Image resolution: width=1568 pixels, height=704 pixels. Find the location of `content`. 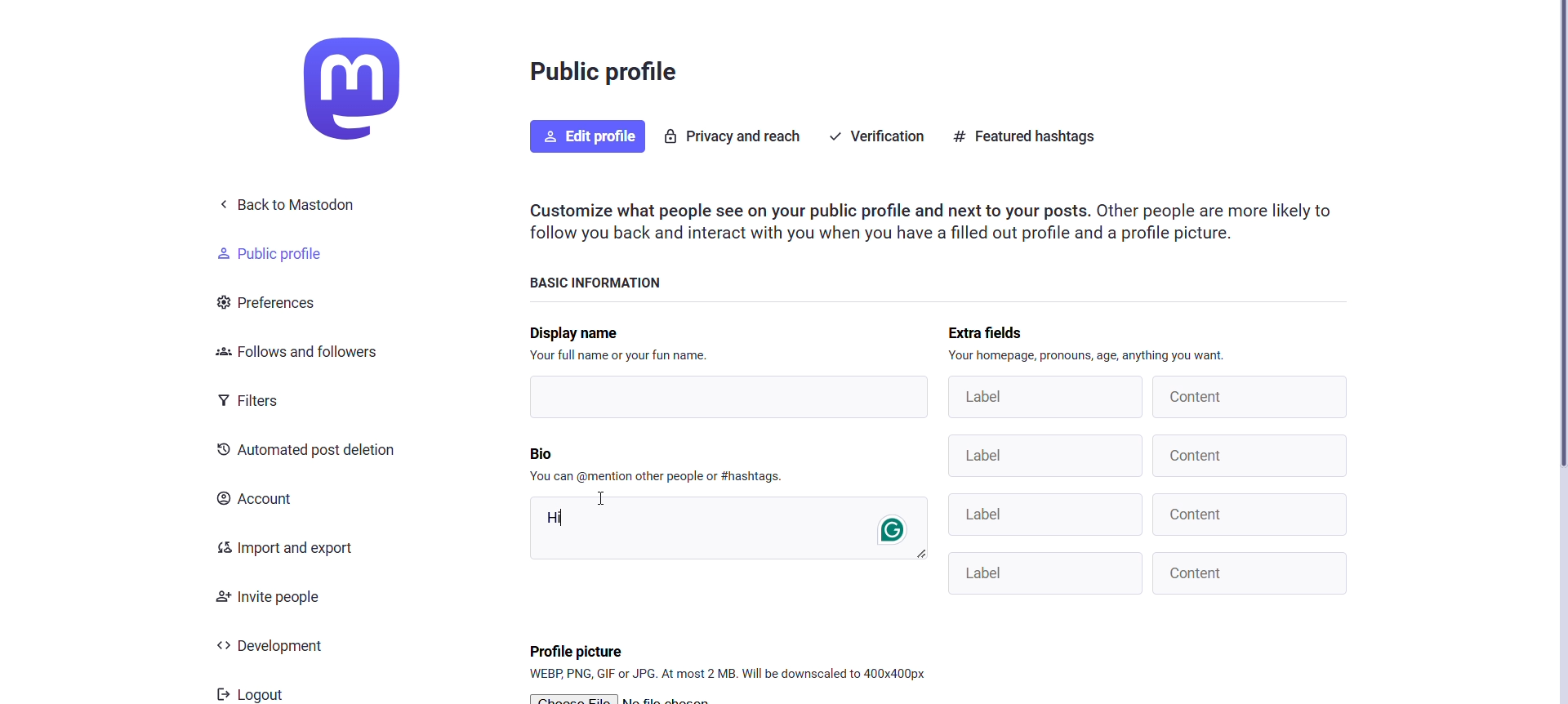

content is located at coordinates (1249, 515).